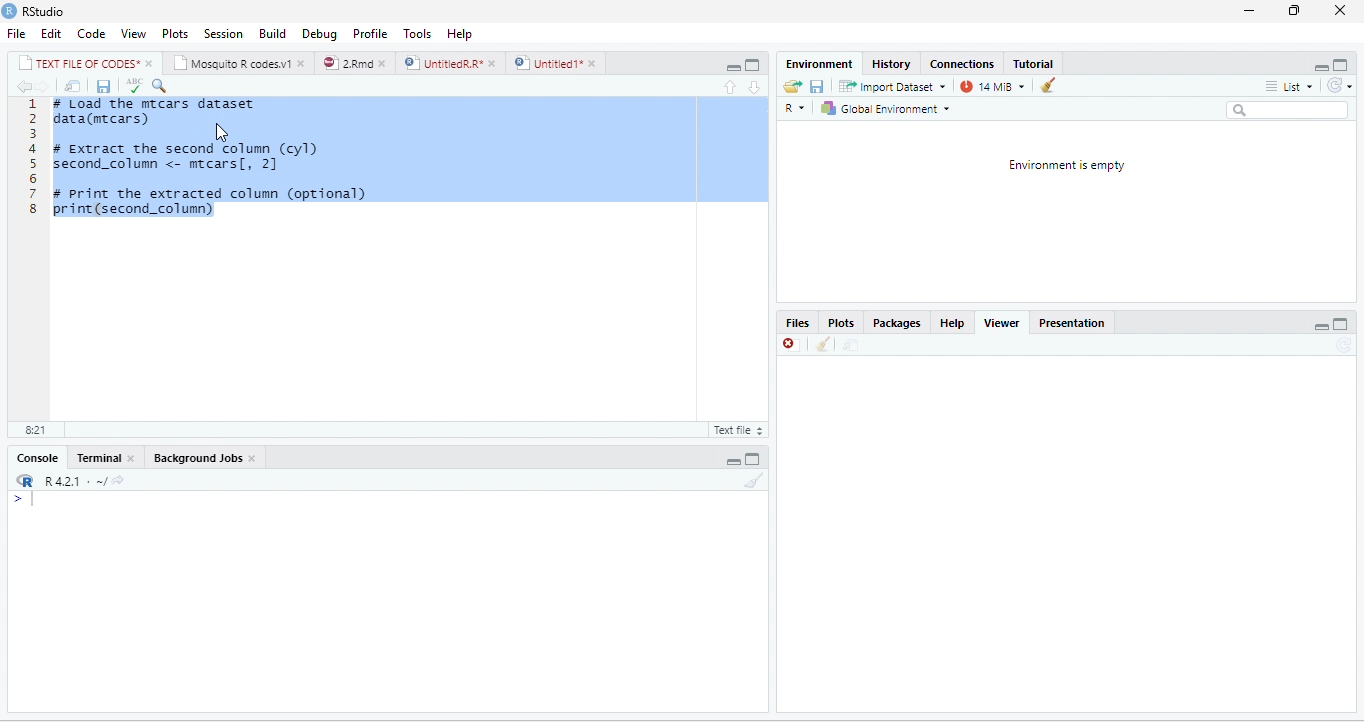 This screenshot has height=722, width=1364. Describe the element at coordinates (15, 33) in the screenshot. I see `File` at that location.